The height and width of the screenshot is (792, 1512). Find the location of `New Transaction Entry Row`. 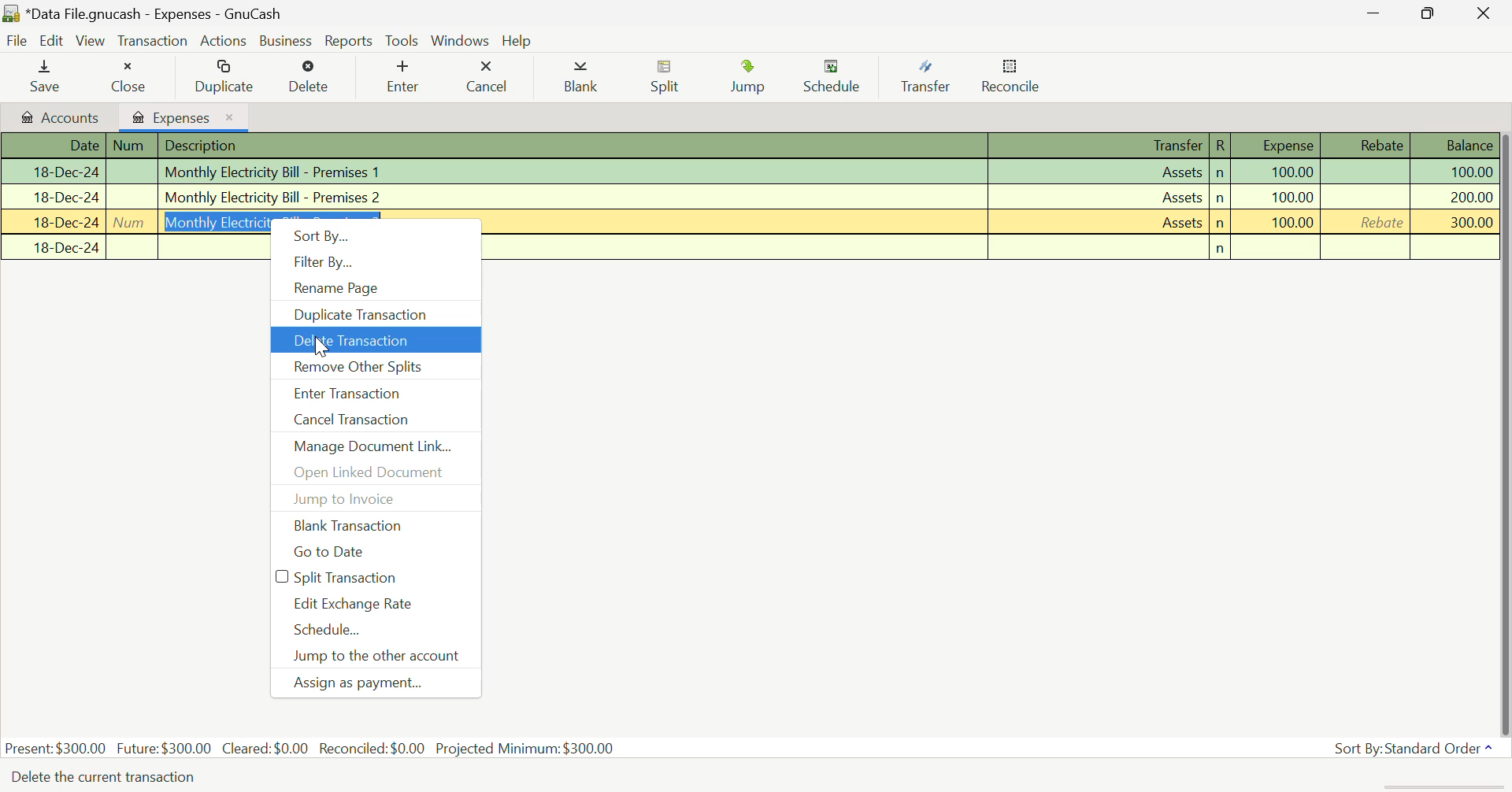

New Transaction Entry Row is located at coordinates (991, 246).